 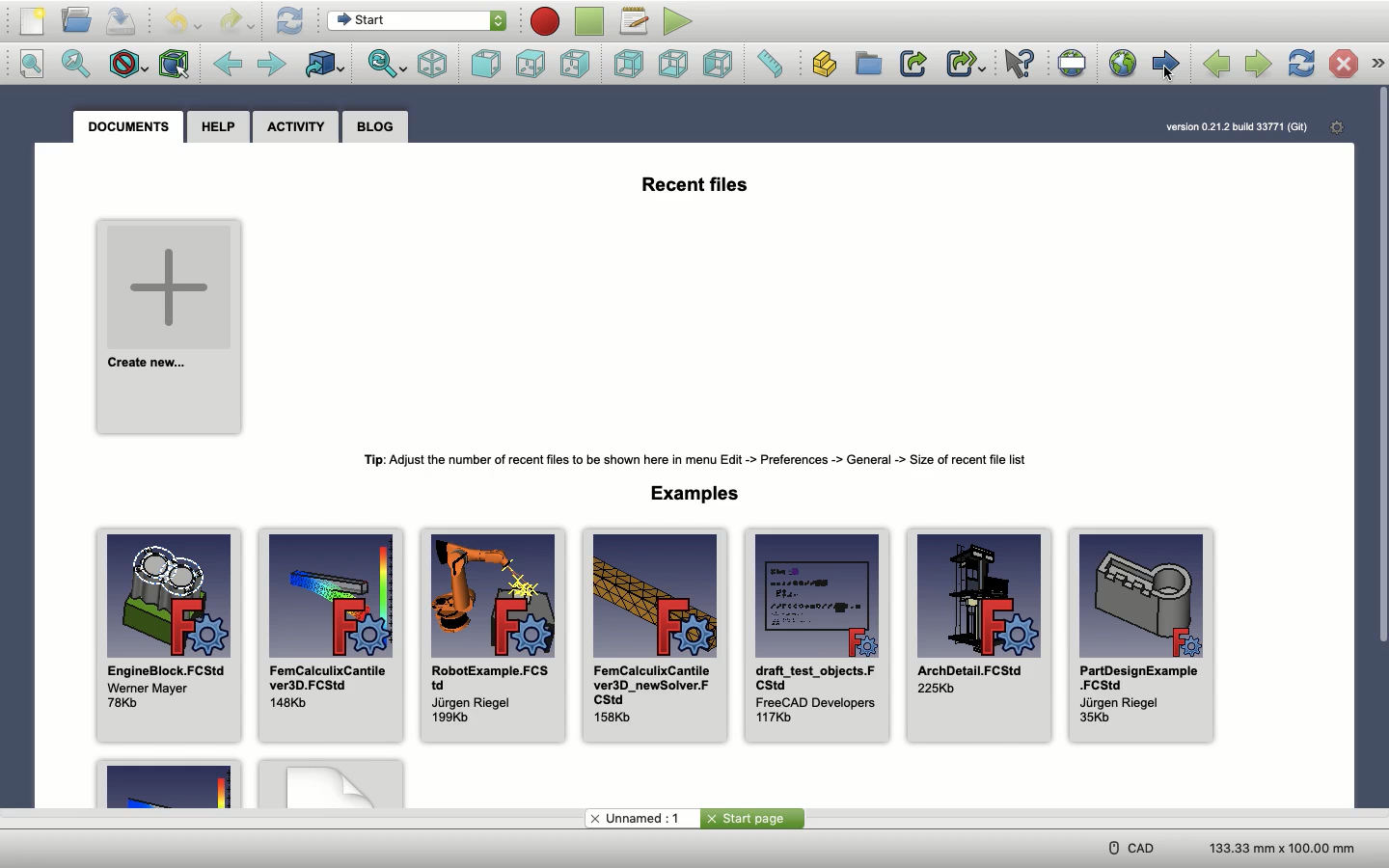 What do you see at coordinates (1129, 848) in the screenshot?
I see `CAD menu` at bounding box center [1129, 848].